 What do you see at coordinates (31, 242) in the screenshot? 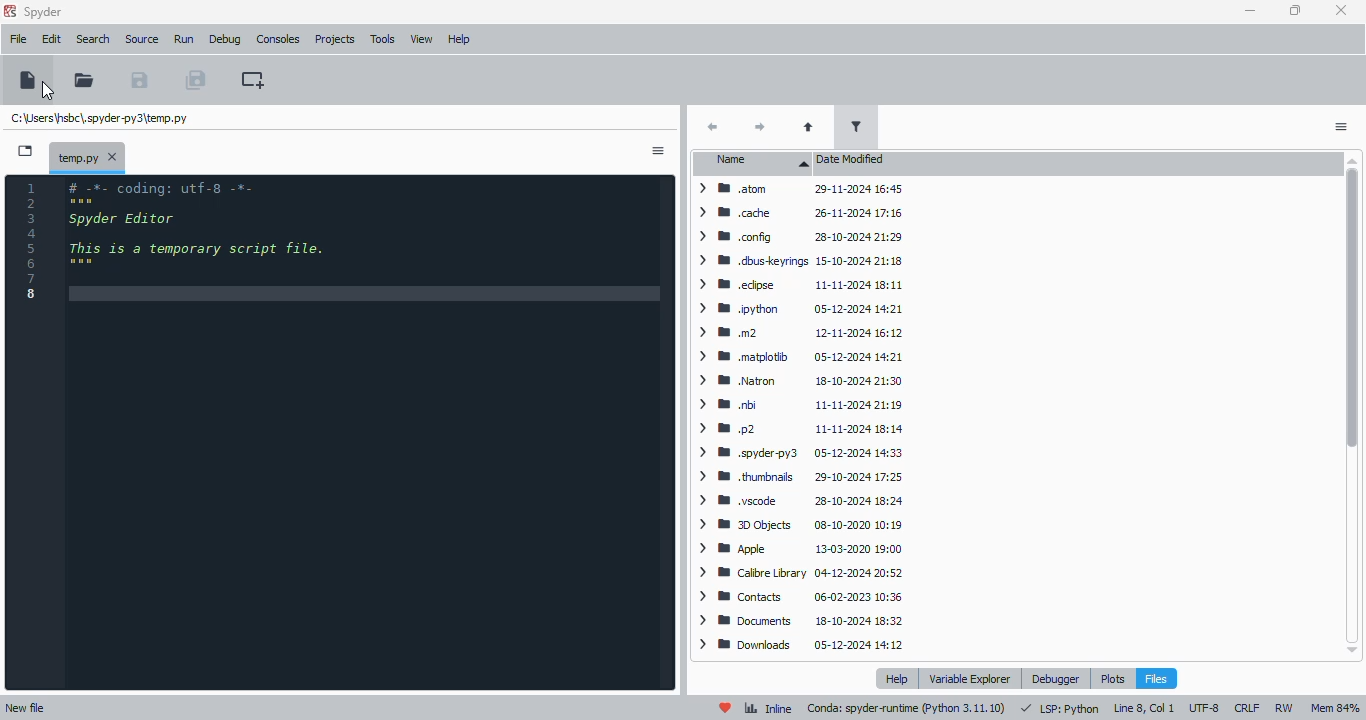
I see `line numbers` at bounding box center [31, 242].